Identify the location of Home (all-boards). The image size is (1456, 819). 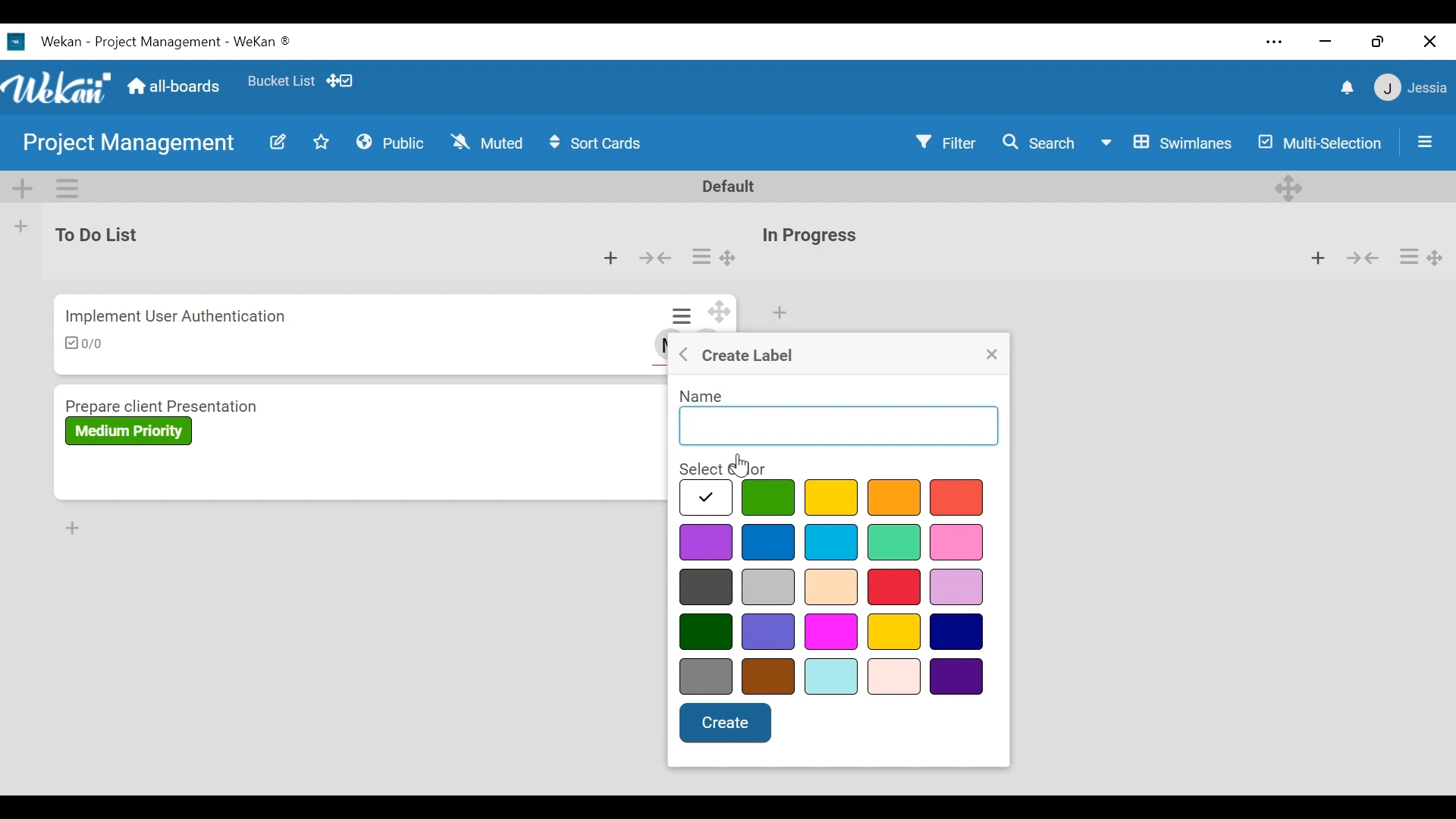
(172, 86).